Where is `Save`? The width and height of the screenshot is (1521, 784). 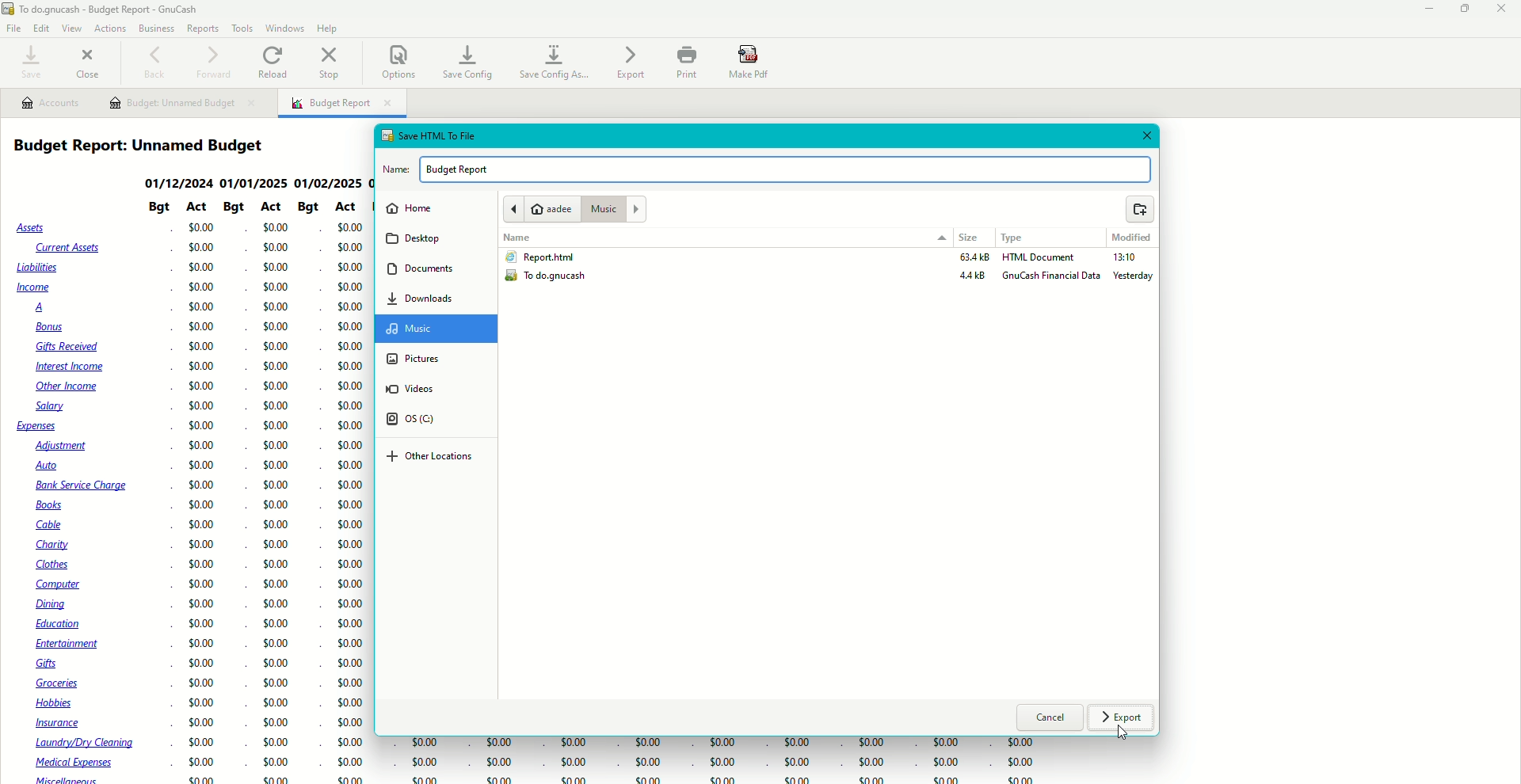 Save is located at coordinates (29, 63).